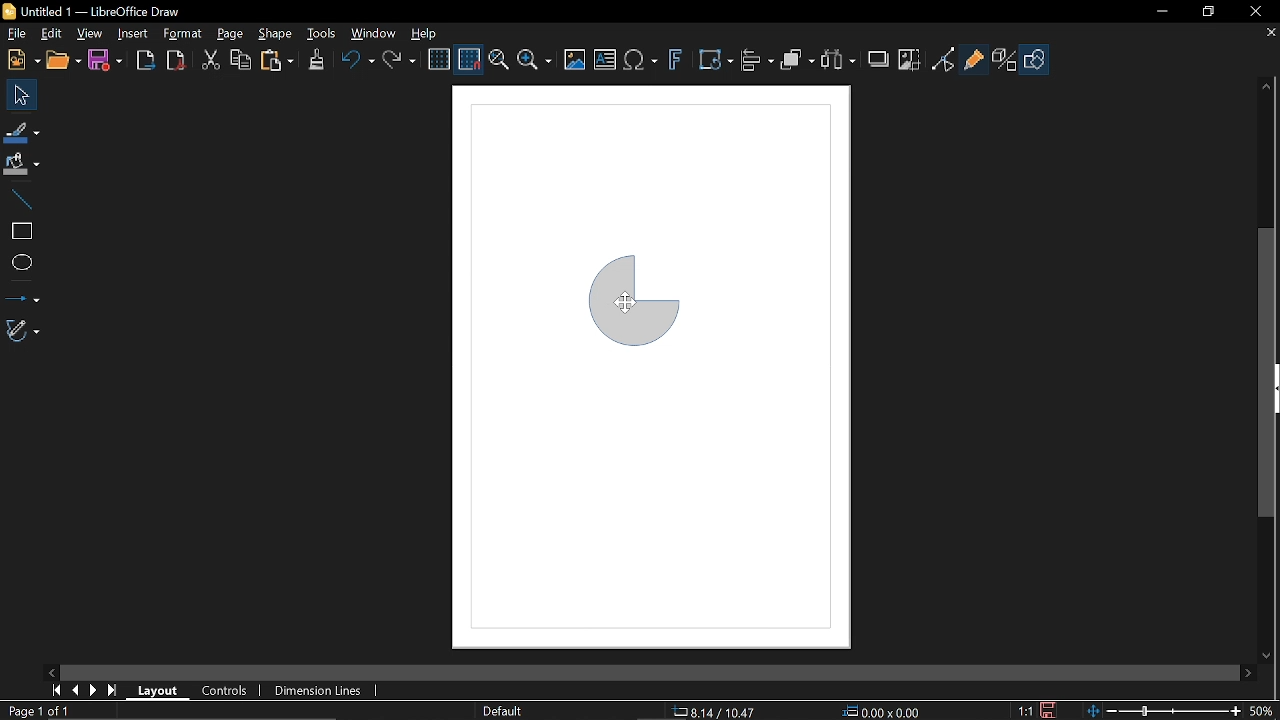  Describe the element at coordinates (1164, 711) in the screenshot. I see `Change zoom` at that location.